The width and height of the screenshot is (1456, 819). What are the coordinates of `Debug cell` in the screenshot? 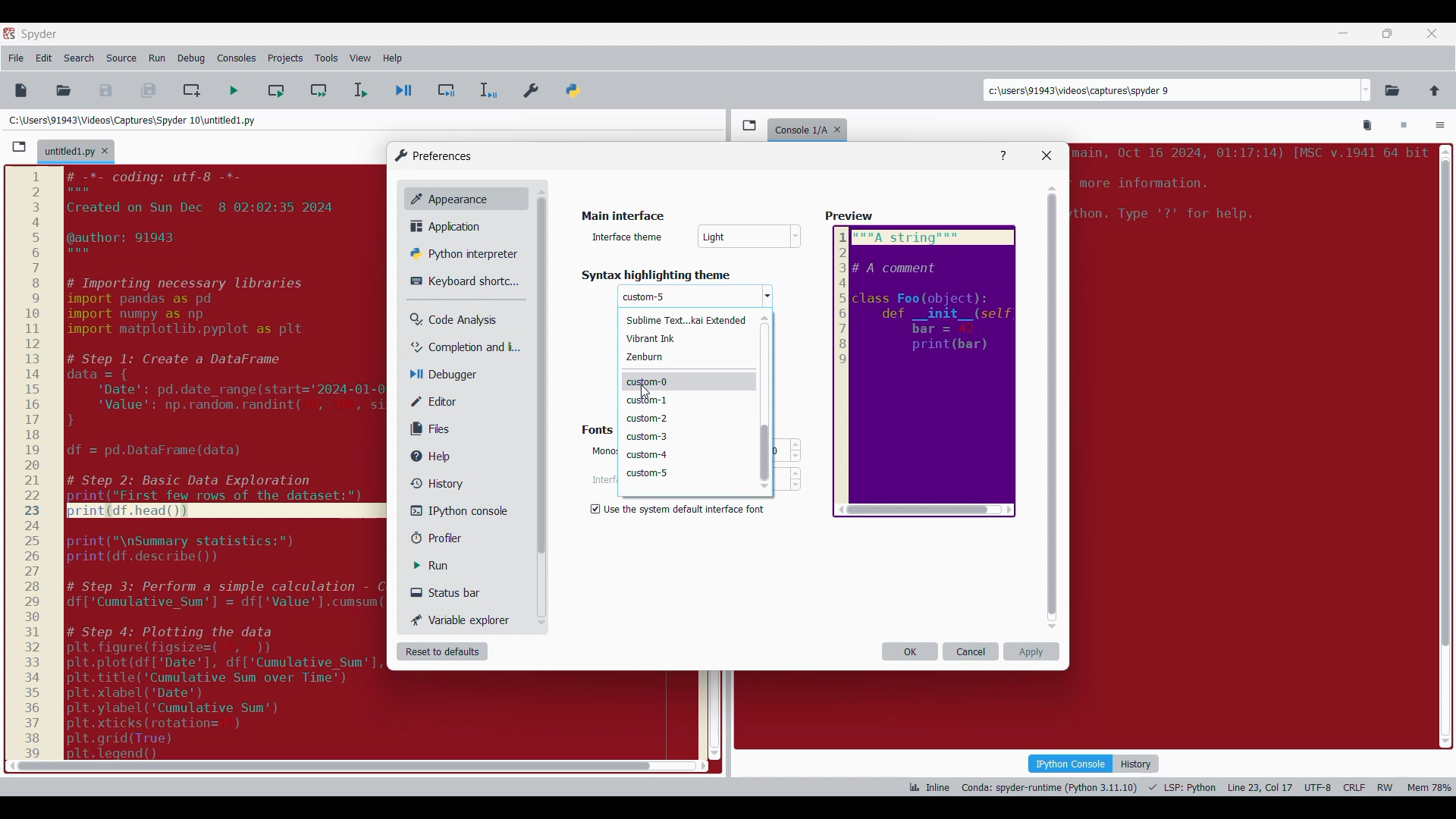 It's located at (447, 90).